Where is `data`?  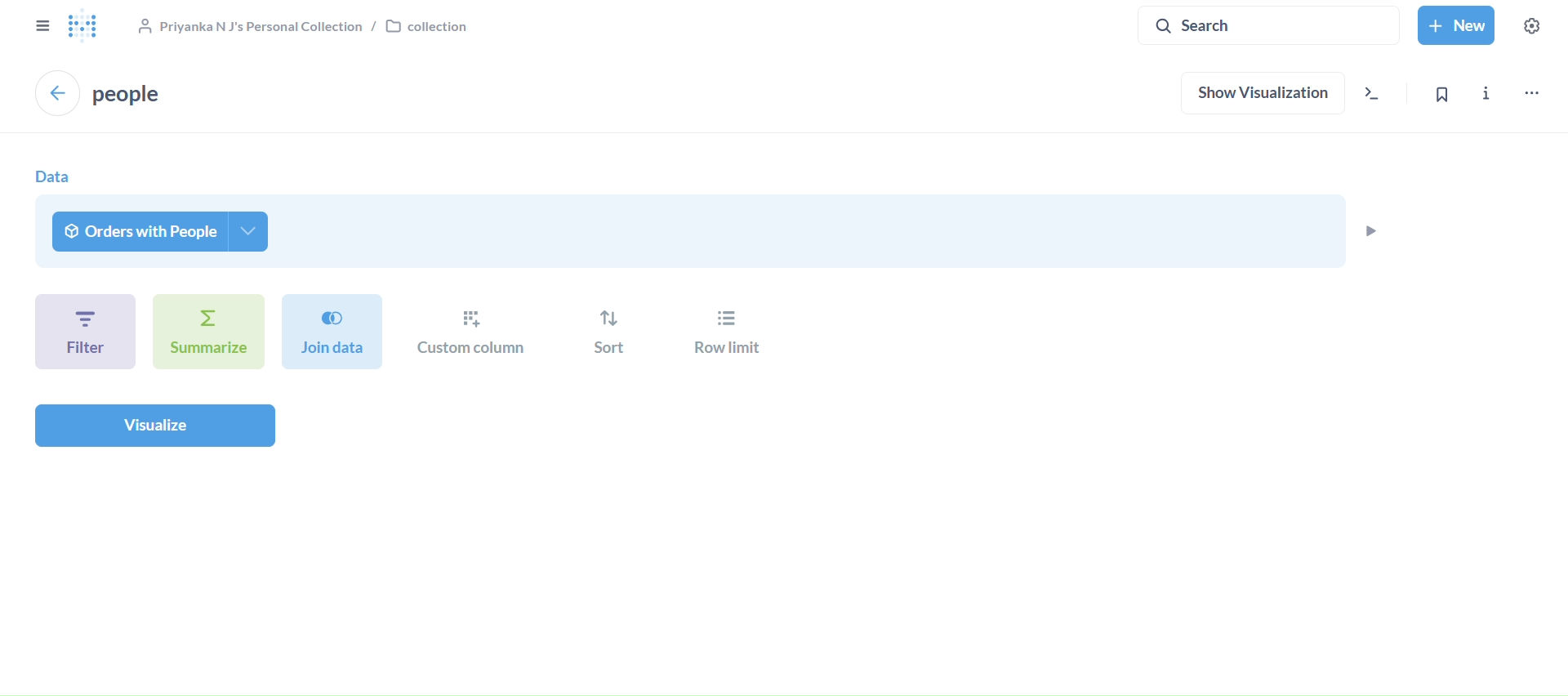 data is located at coordinates (52, 176).